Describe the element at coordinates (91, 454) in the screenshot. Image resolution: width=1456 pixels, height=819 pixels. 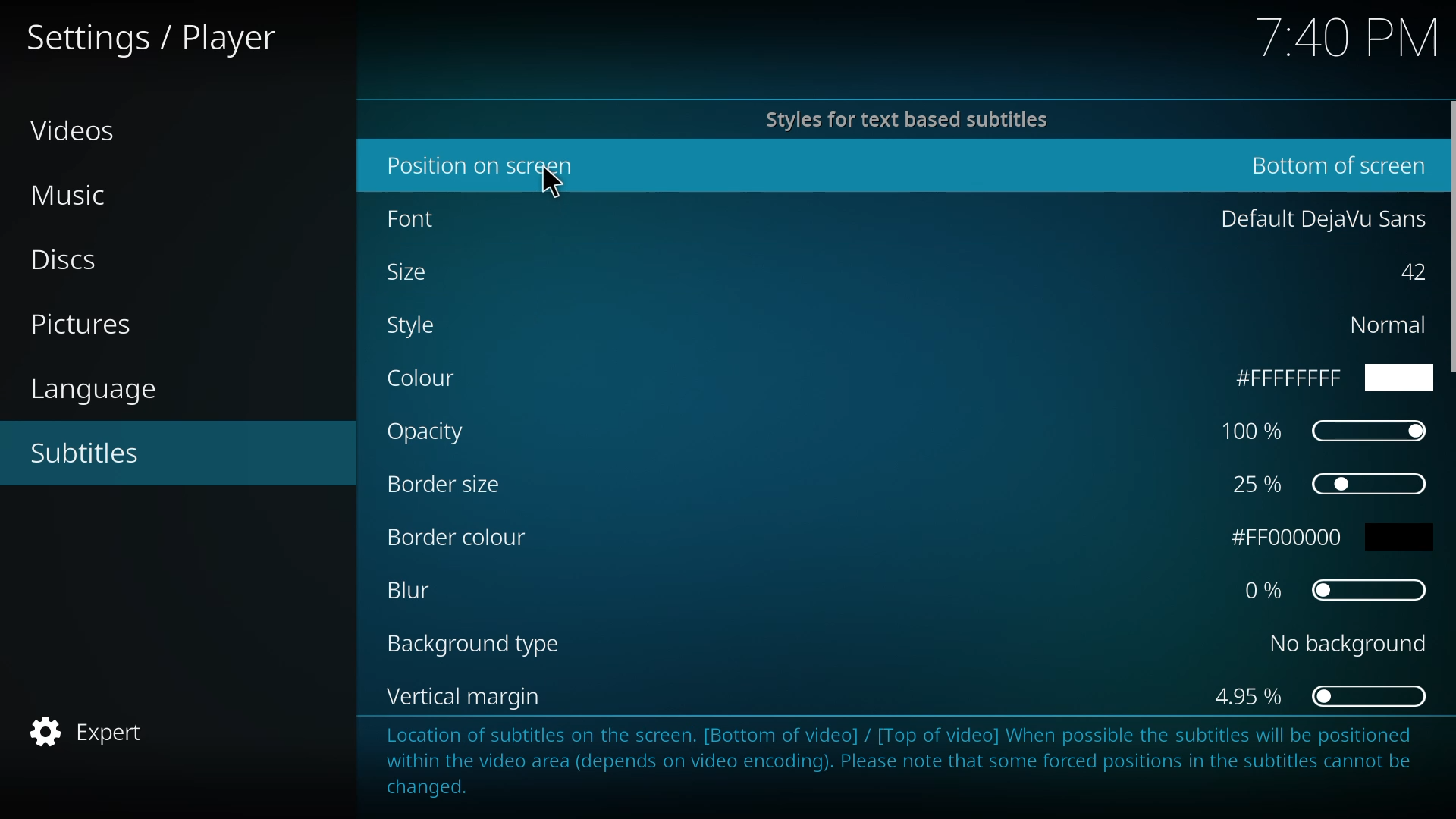
I see `subtitles` at that location.